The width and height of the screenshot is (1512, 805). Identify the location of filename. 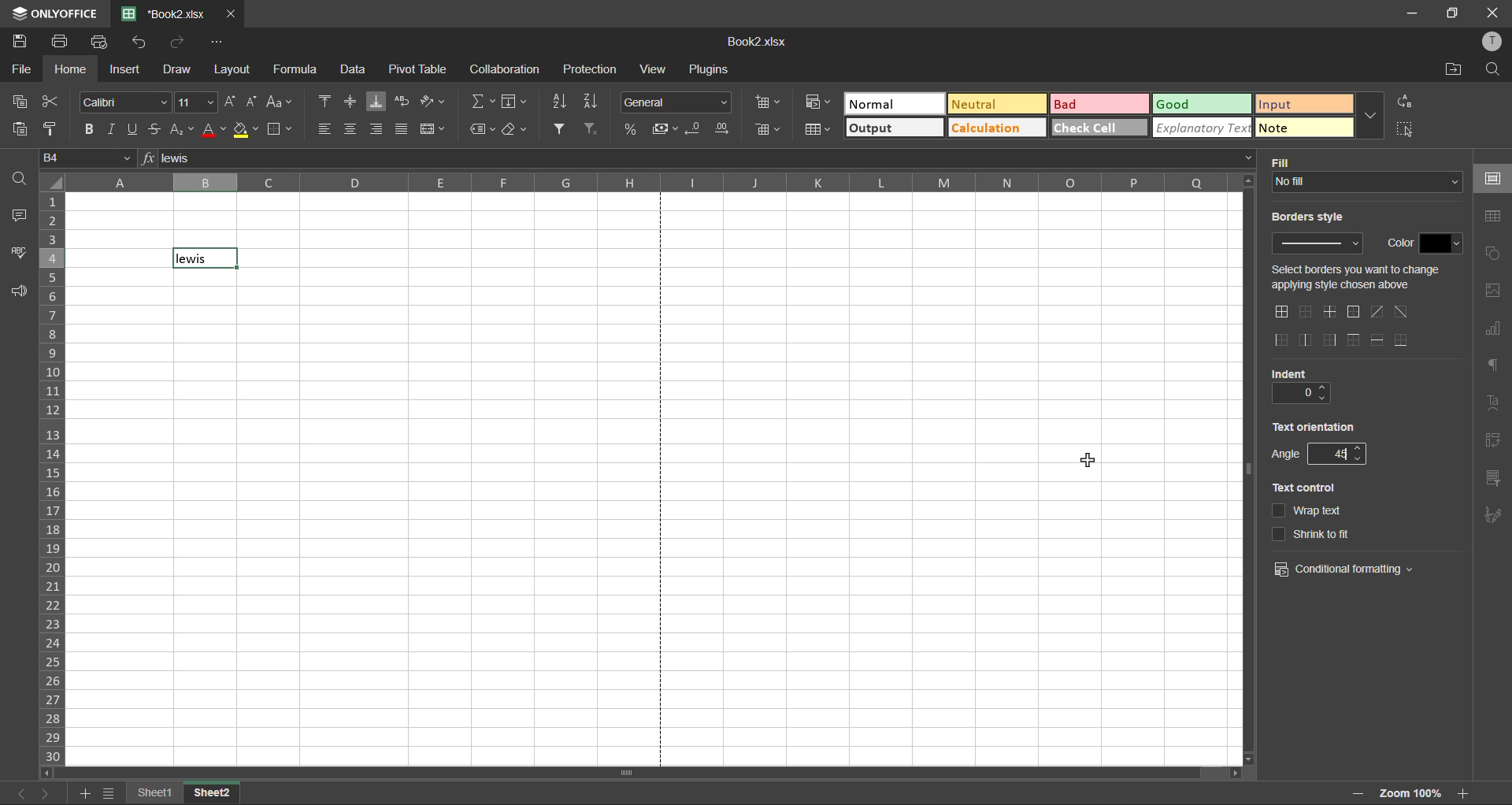
(164, 14).